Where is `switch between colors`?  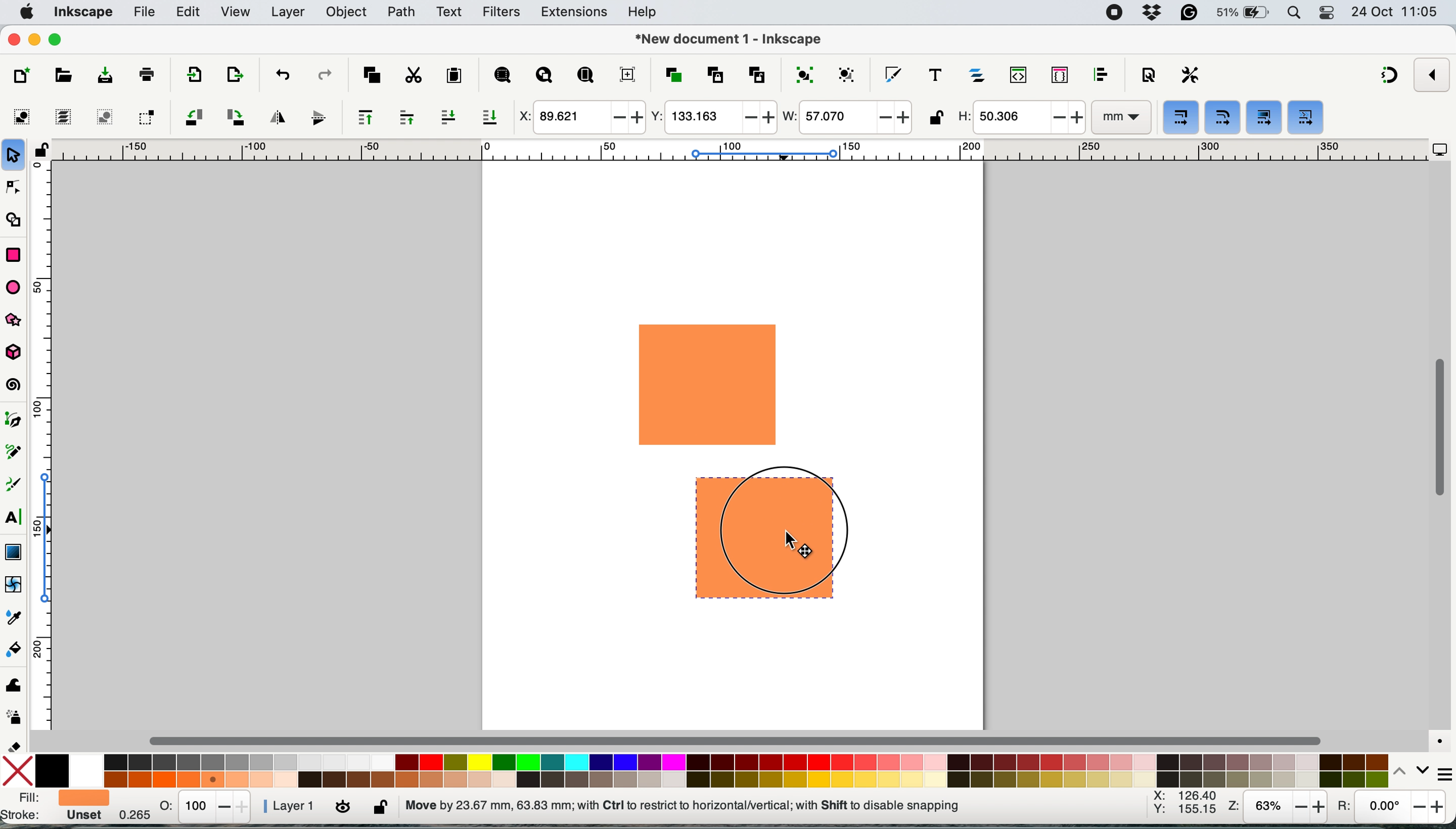
switch between colors is located at coordinates (1404, 770).